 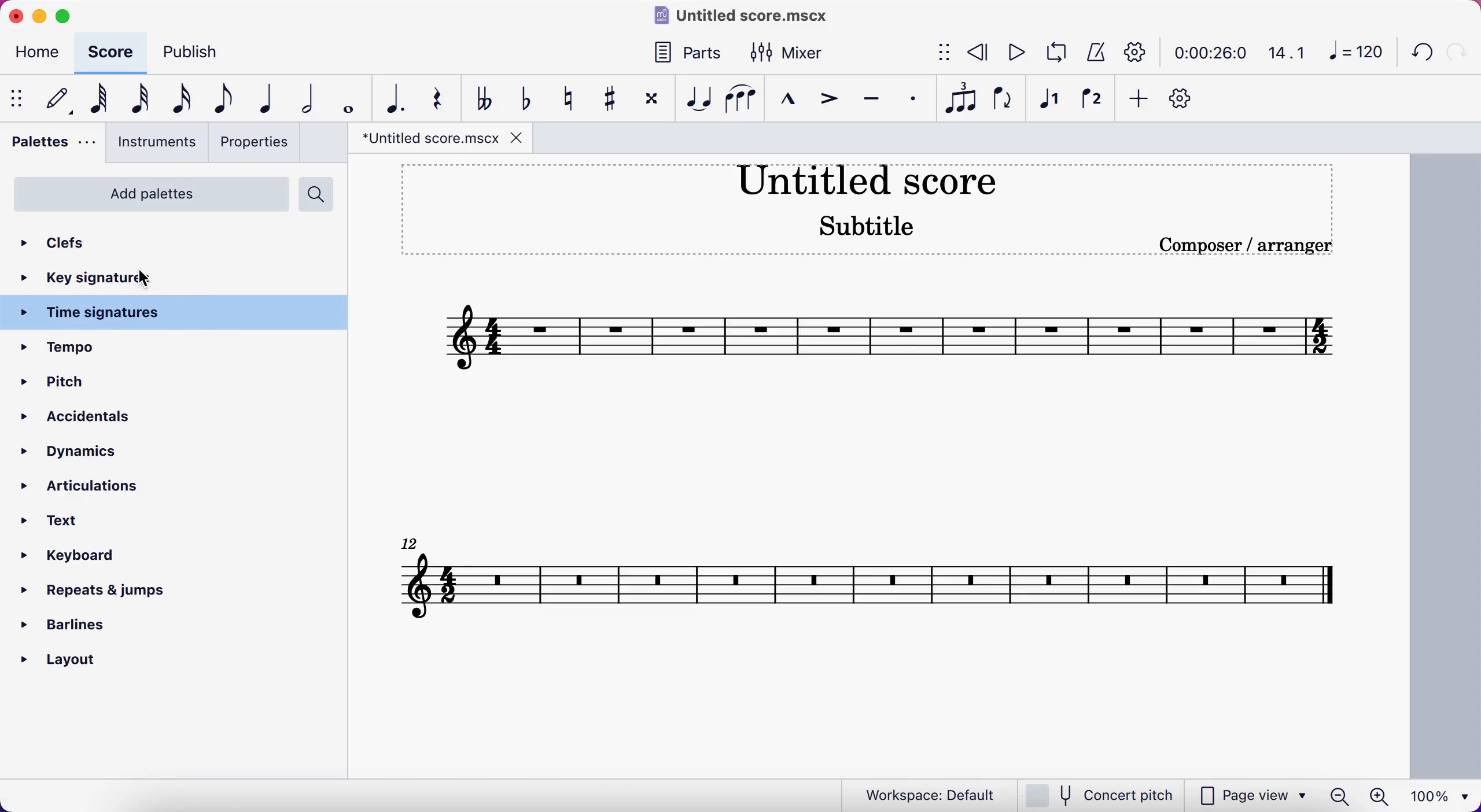 I want to click on score, so click(x=890, y=335).